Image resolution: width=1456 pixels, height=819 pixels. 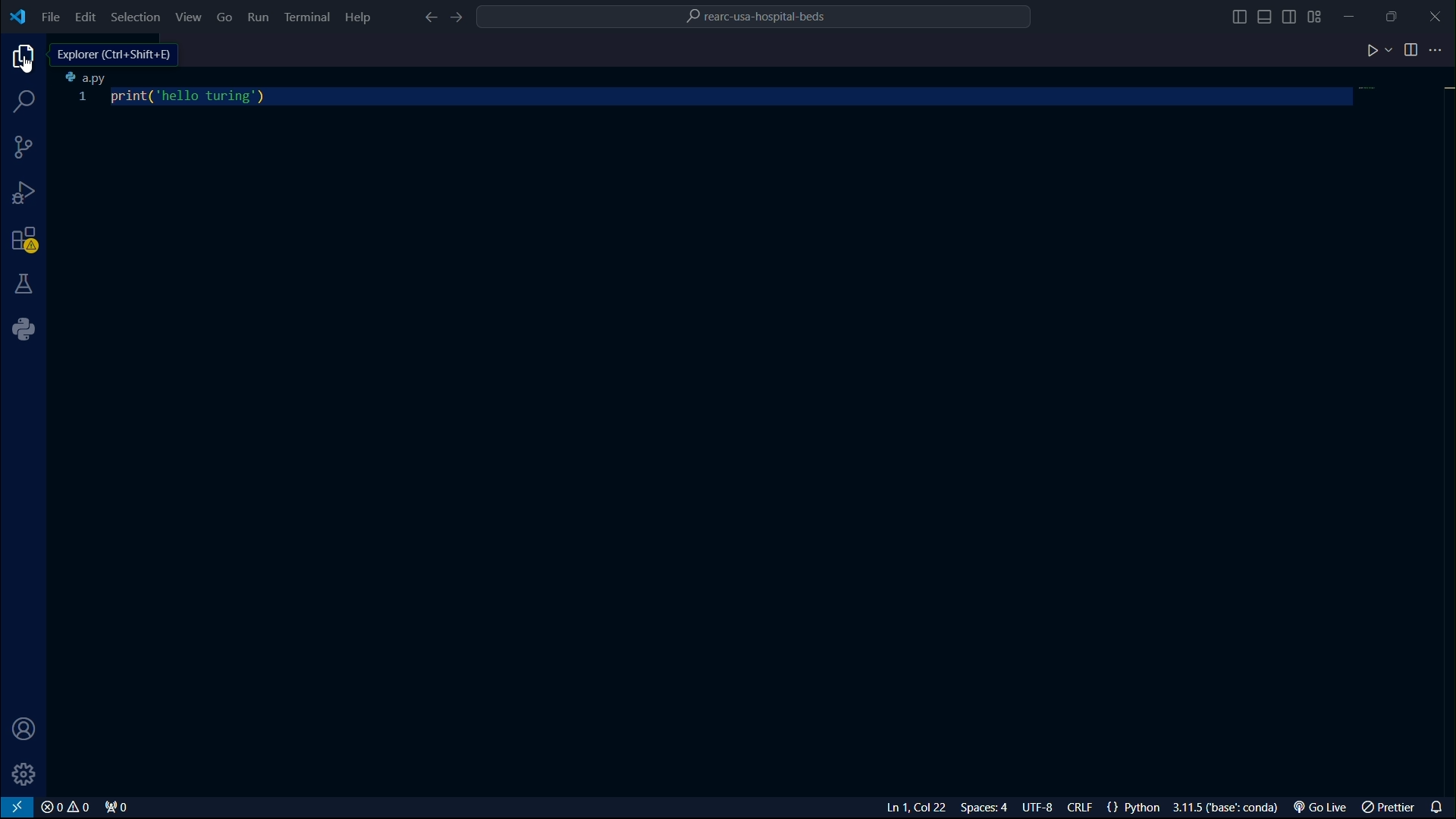 I want to click on Ln 1, Col 22, so click(x=918, y=808).